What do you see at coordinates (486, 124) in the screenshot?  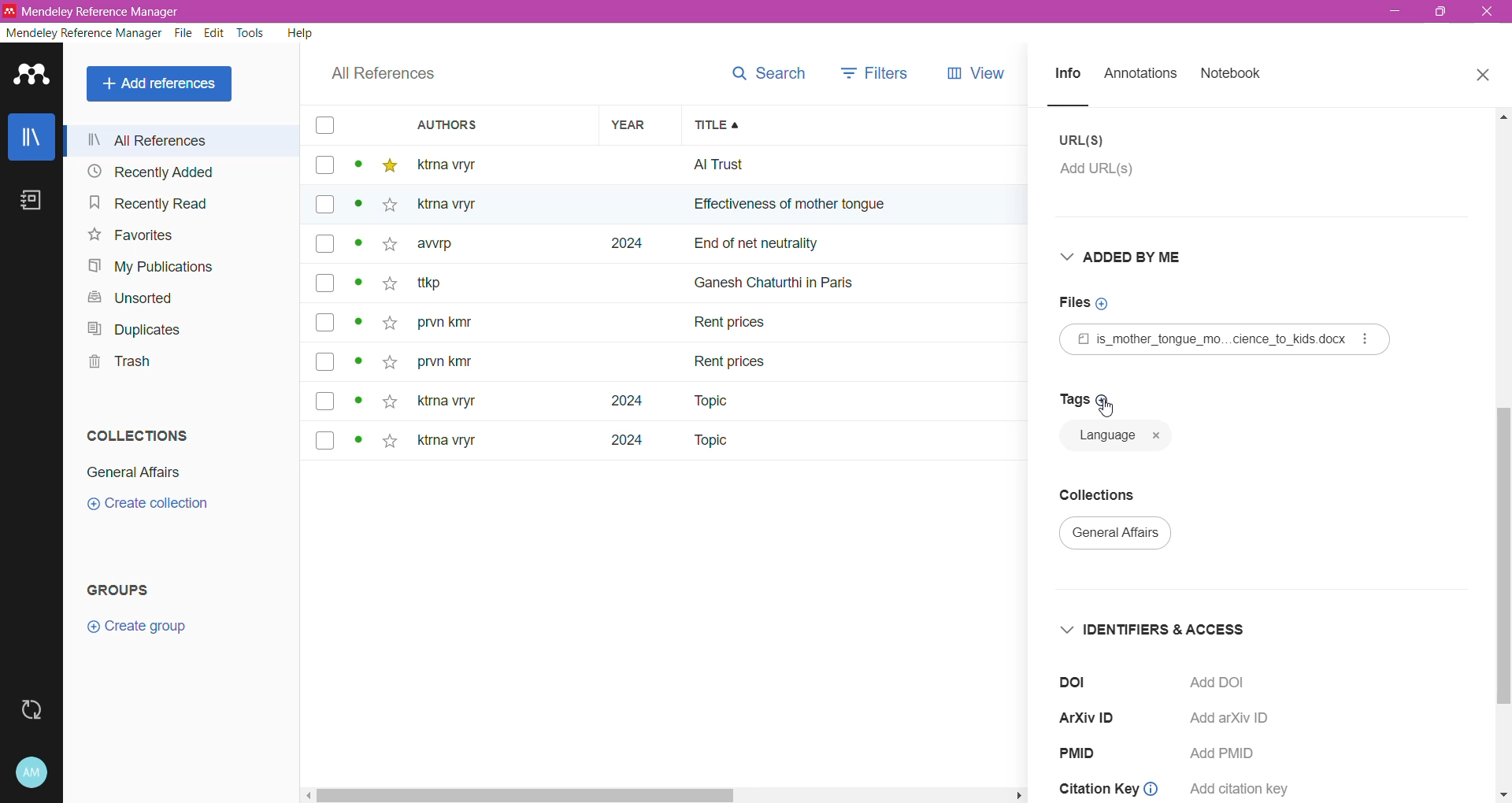 I see `Authors` at bounding box center [486, 124].